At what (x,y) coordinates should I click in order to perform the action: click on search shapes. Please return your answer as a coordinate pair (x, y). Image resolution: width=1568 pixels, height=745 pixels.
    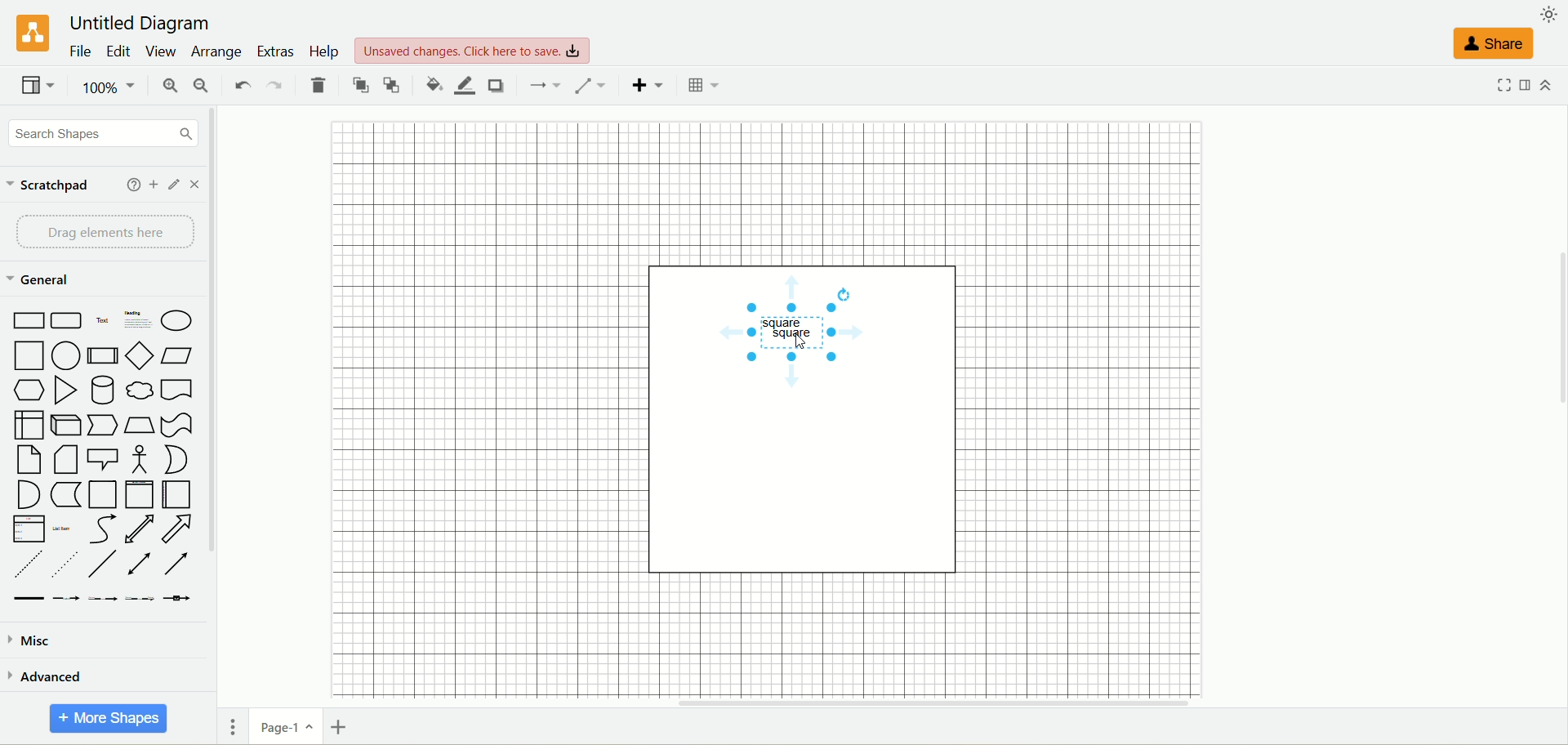
    Looking at the image, I should click on (104, 136).